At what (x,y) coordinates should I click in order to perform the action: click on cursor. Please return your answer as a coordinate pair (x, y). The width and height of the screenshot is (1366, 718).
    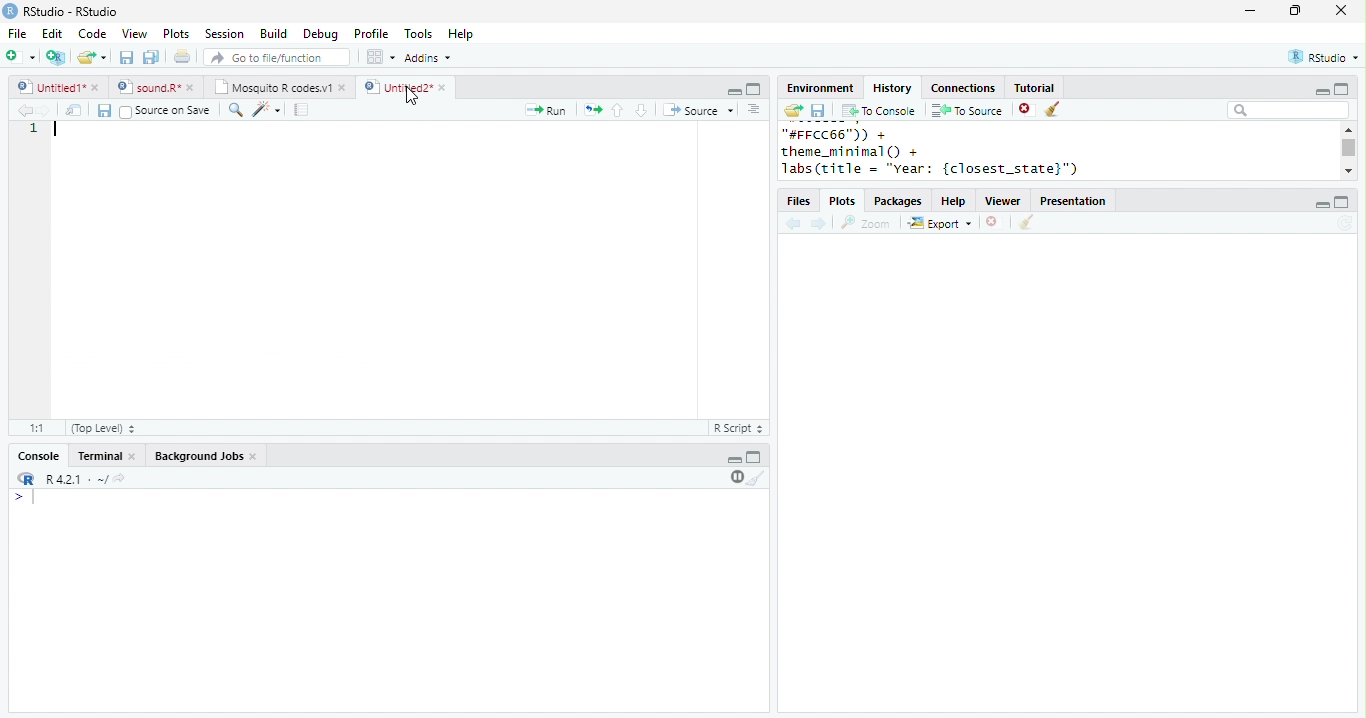
    Looking at the image, I should click on (411, 98).